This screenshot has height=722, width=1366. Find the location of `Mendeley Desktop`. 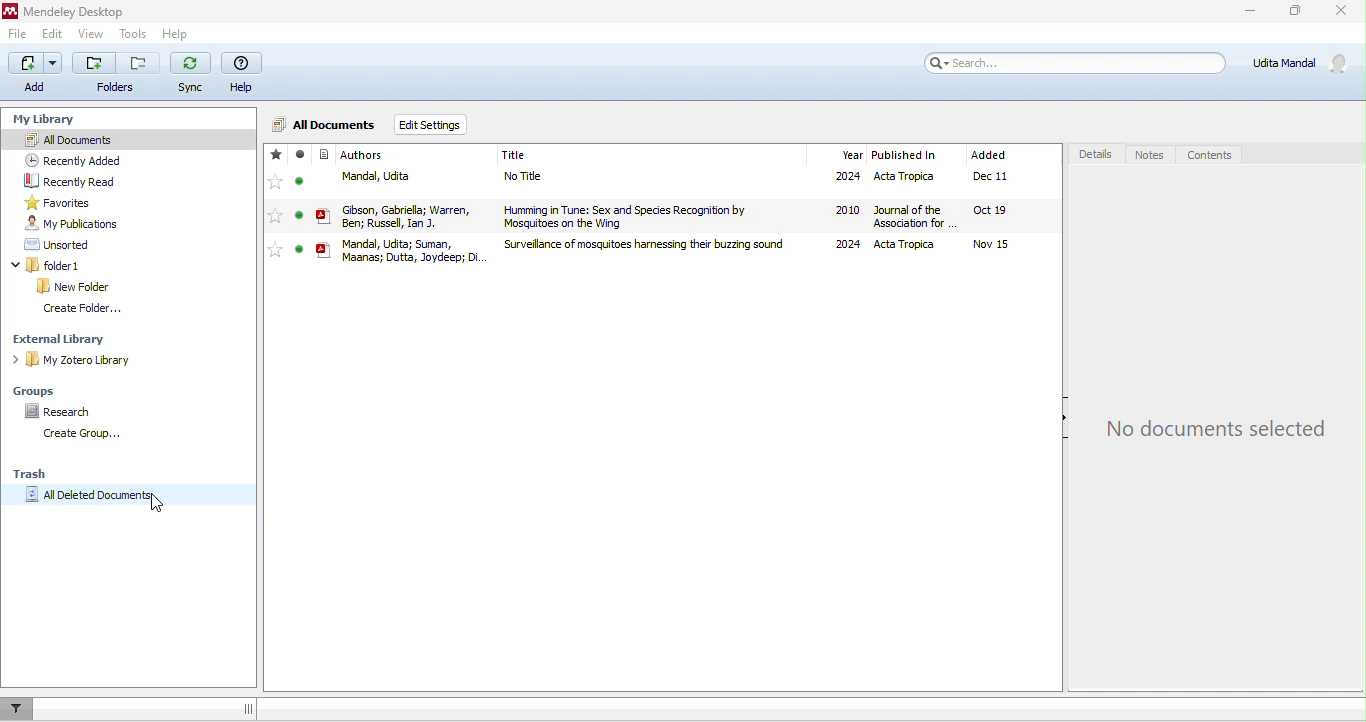

Mendeley Desktop is located at coordinates (67, 11).